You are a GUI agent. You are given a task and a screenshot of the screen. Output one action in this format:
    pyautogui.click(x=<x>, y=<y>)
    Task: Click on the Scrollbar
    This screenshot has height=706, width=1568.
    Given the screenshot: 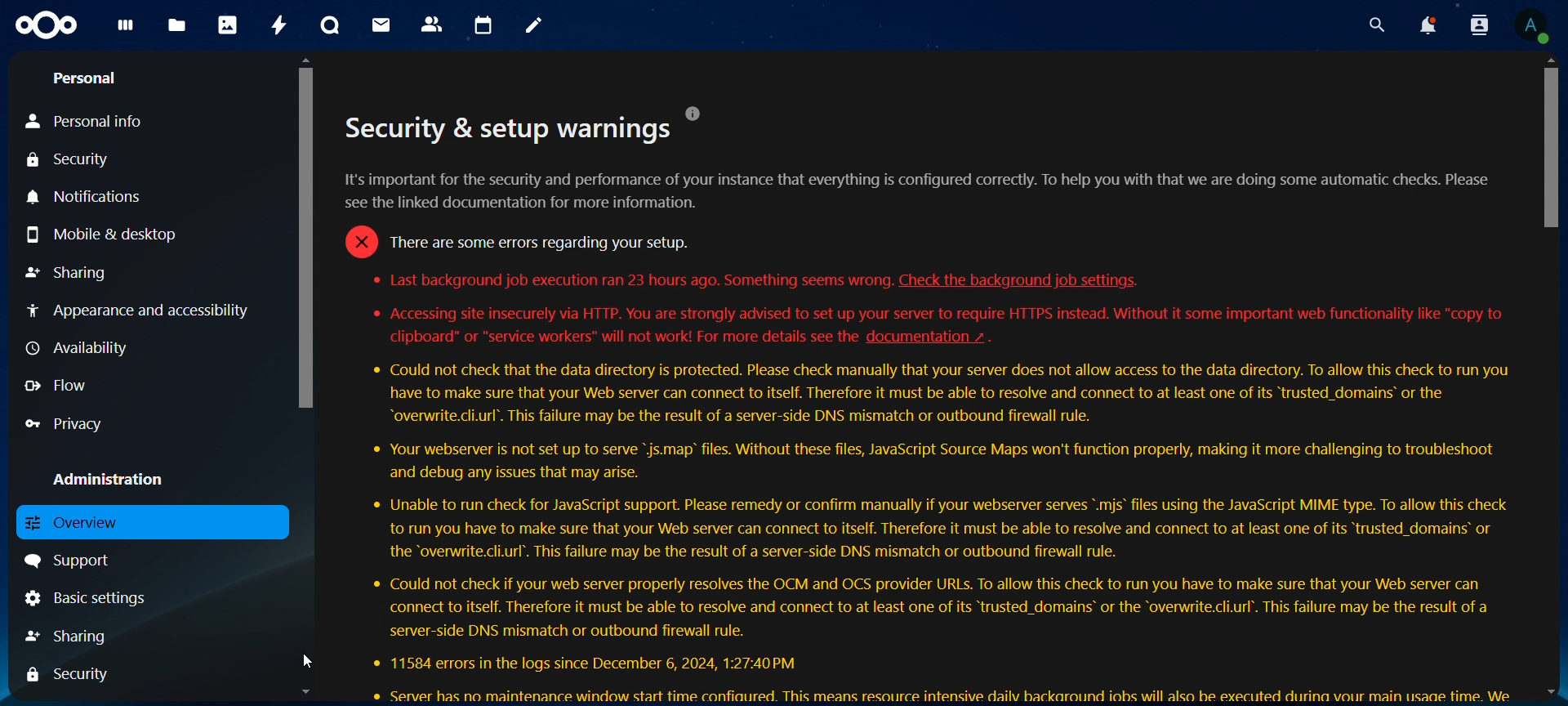 What is the action you would take?
    pyautogui.click(x=297, y=378)
    